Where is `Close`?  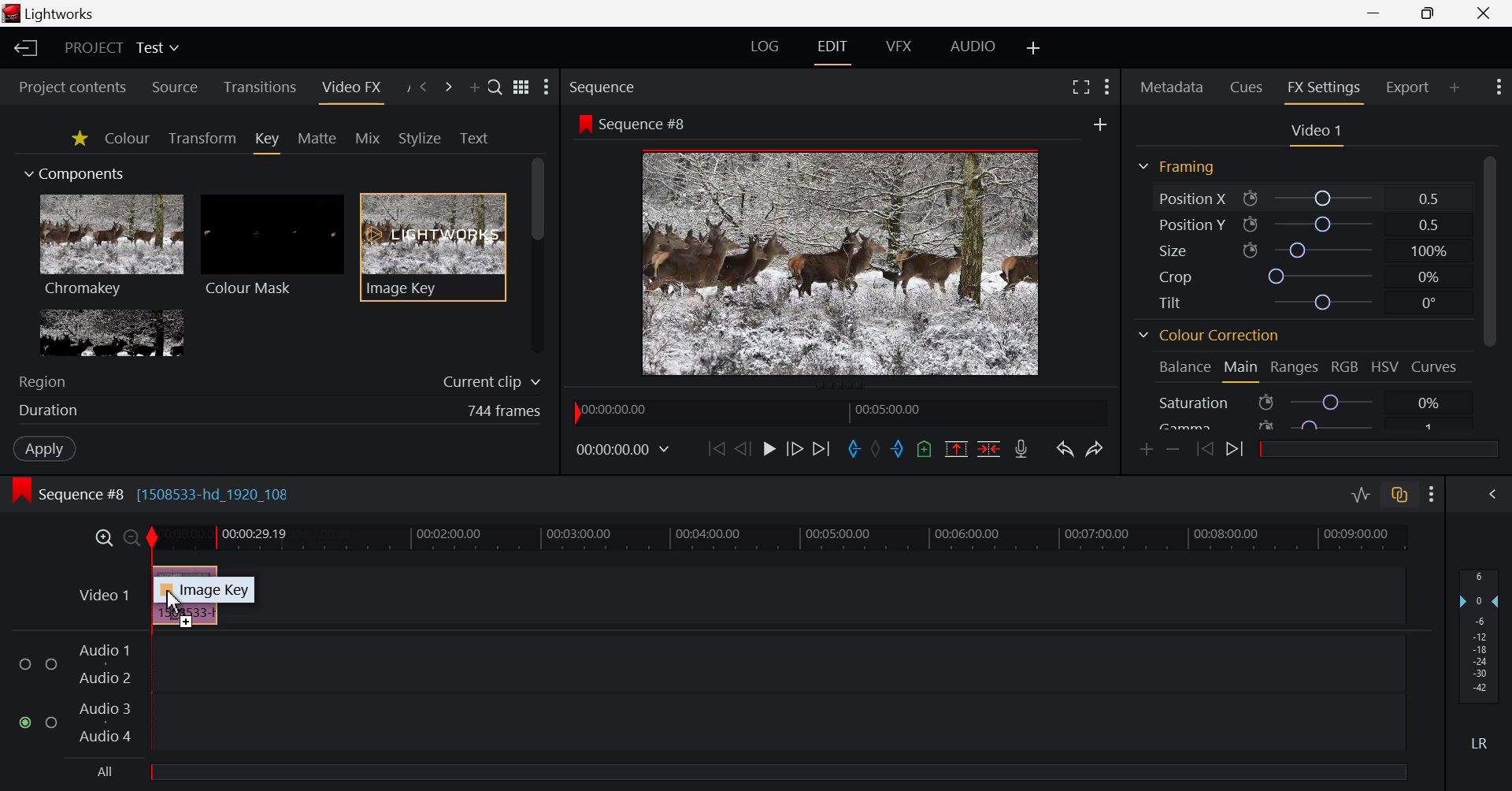 Close is located at coordinates (1484, 13).